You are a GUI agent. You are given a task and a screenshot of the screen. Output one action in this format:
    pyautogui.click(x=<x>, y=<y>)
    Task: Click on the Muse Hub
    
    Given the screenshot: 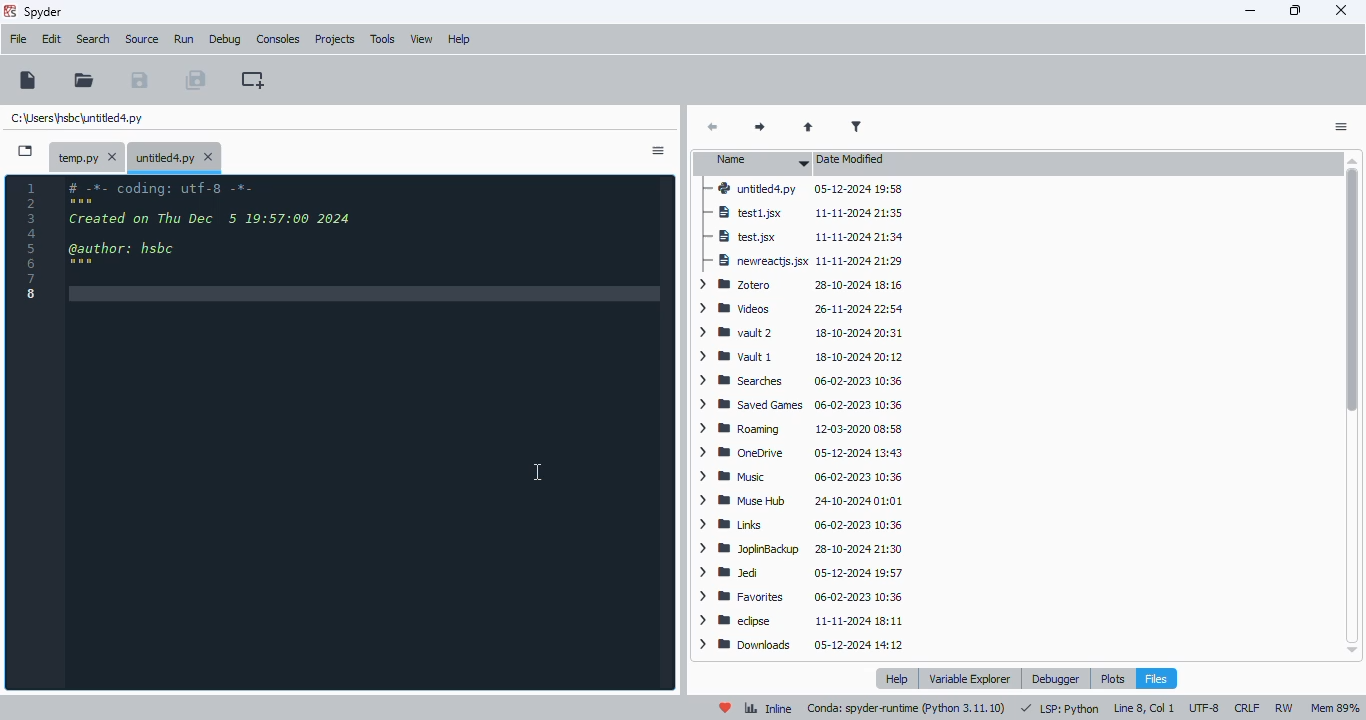 What is the action you would take?
    pyautogui.click(x=750, y=500)
    